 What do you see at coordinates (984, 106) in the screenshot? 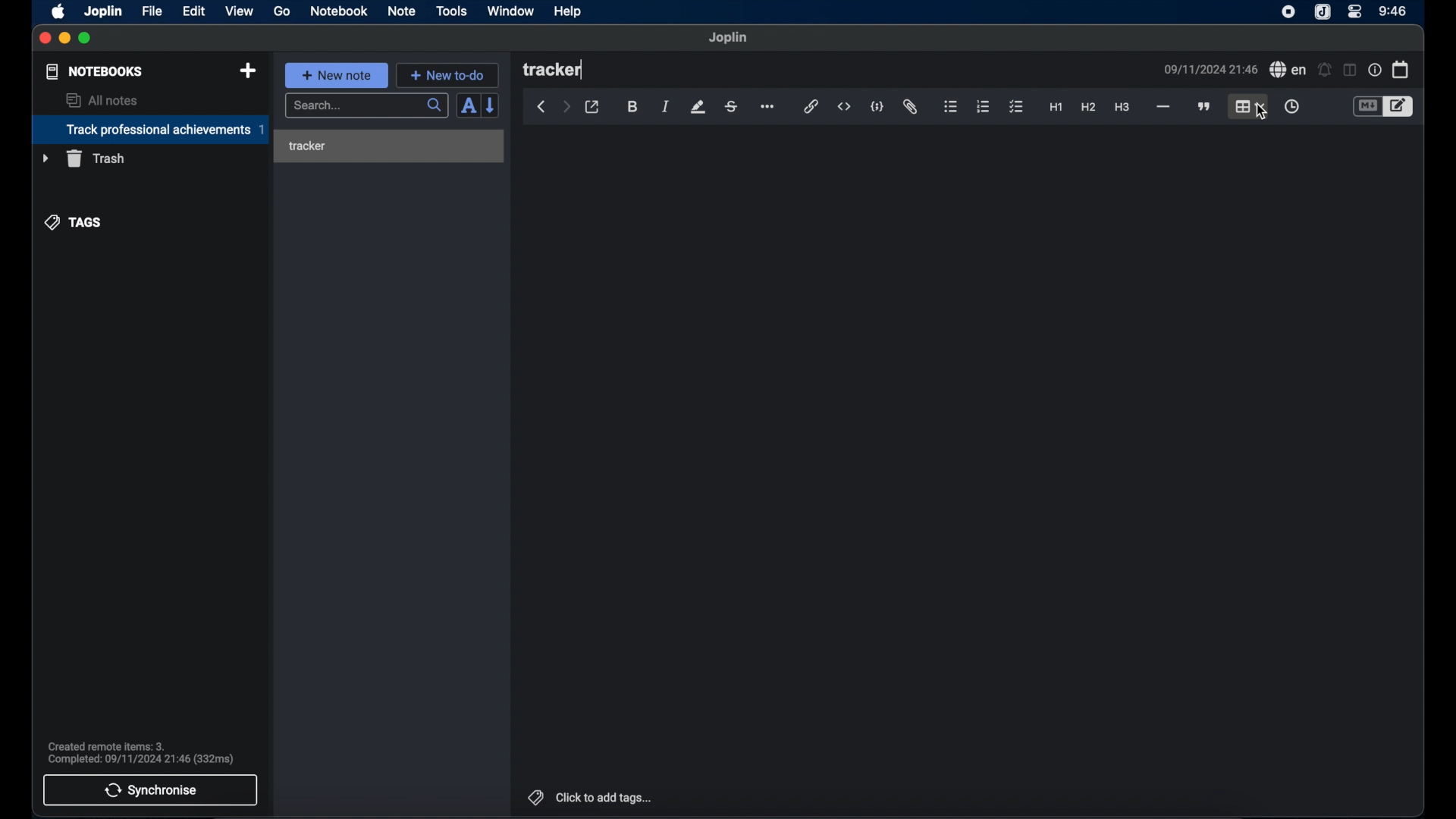
I see `numbered list` at bounding box center [984, 106].